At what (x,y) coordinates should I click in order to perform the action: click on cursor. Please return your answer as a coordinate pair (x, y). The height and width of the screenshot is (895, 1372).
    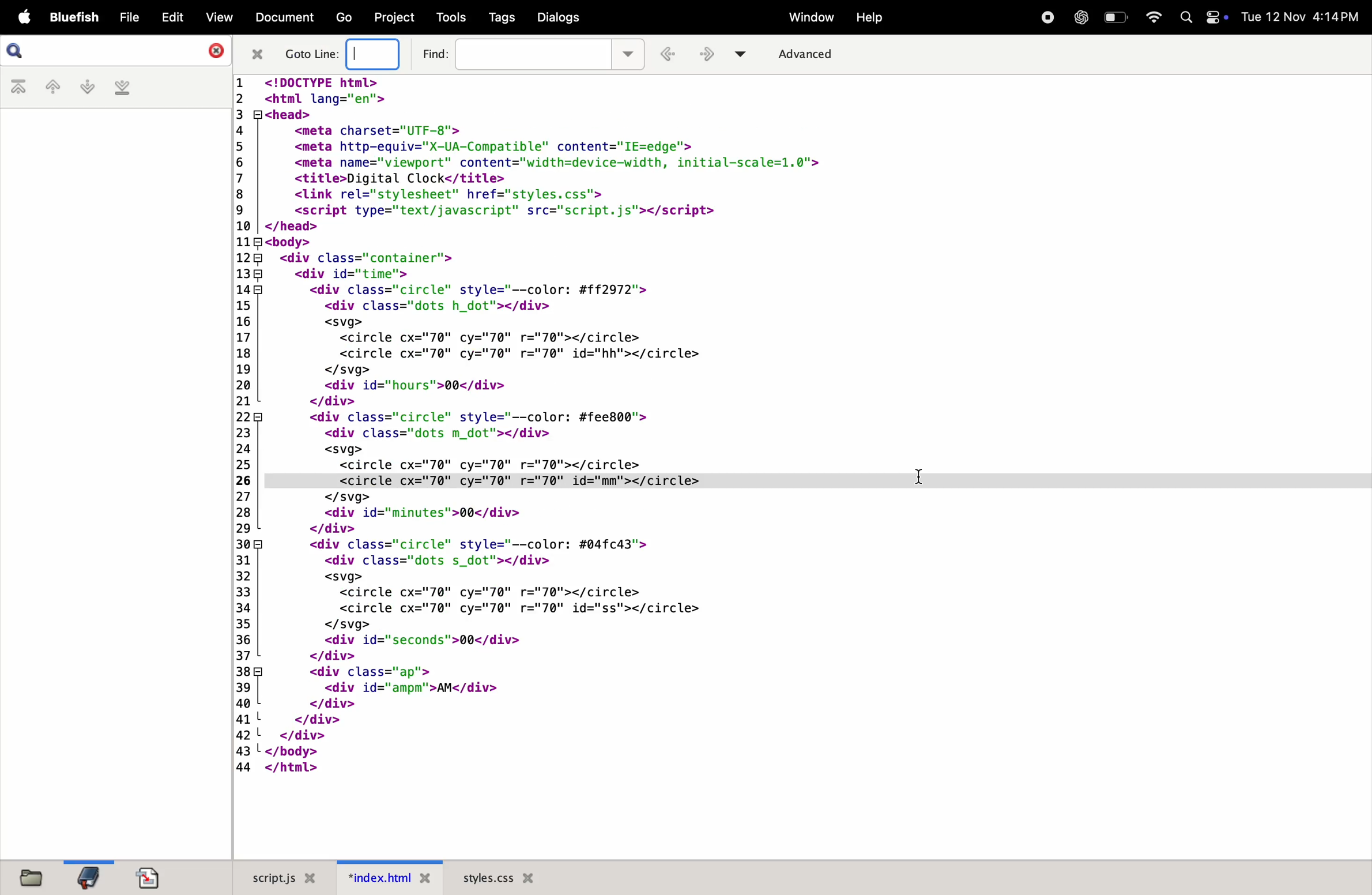
    Looking at the image, I should click on (919, 477).